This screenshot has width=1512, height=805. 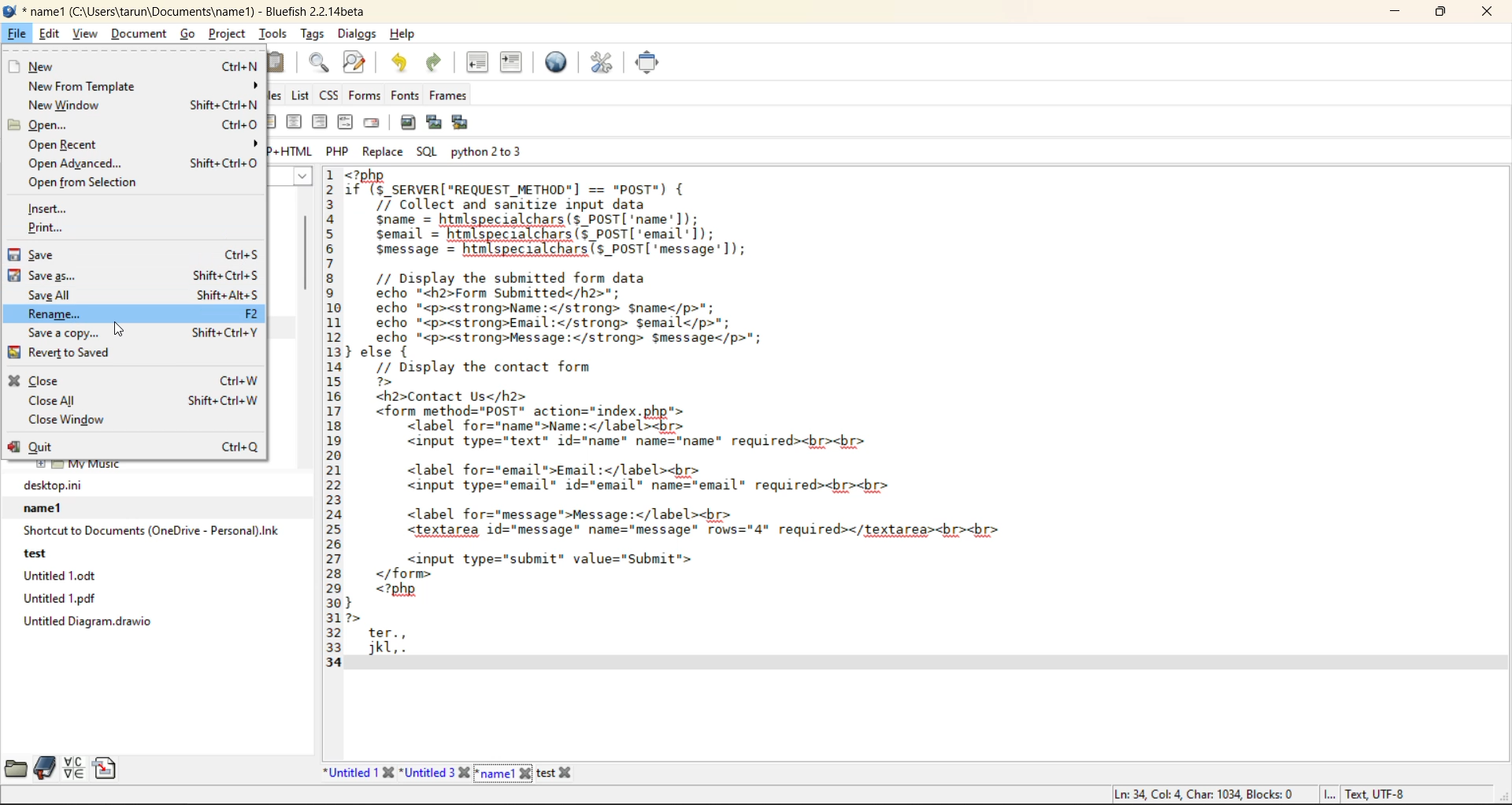 I want to click on php html, so click(x=289, y=150).